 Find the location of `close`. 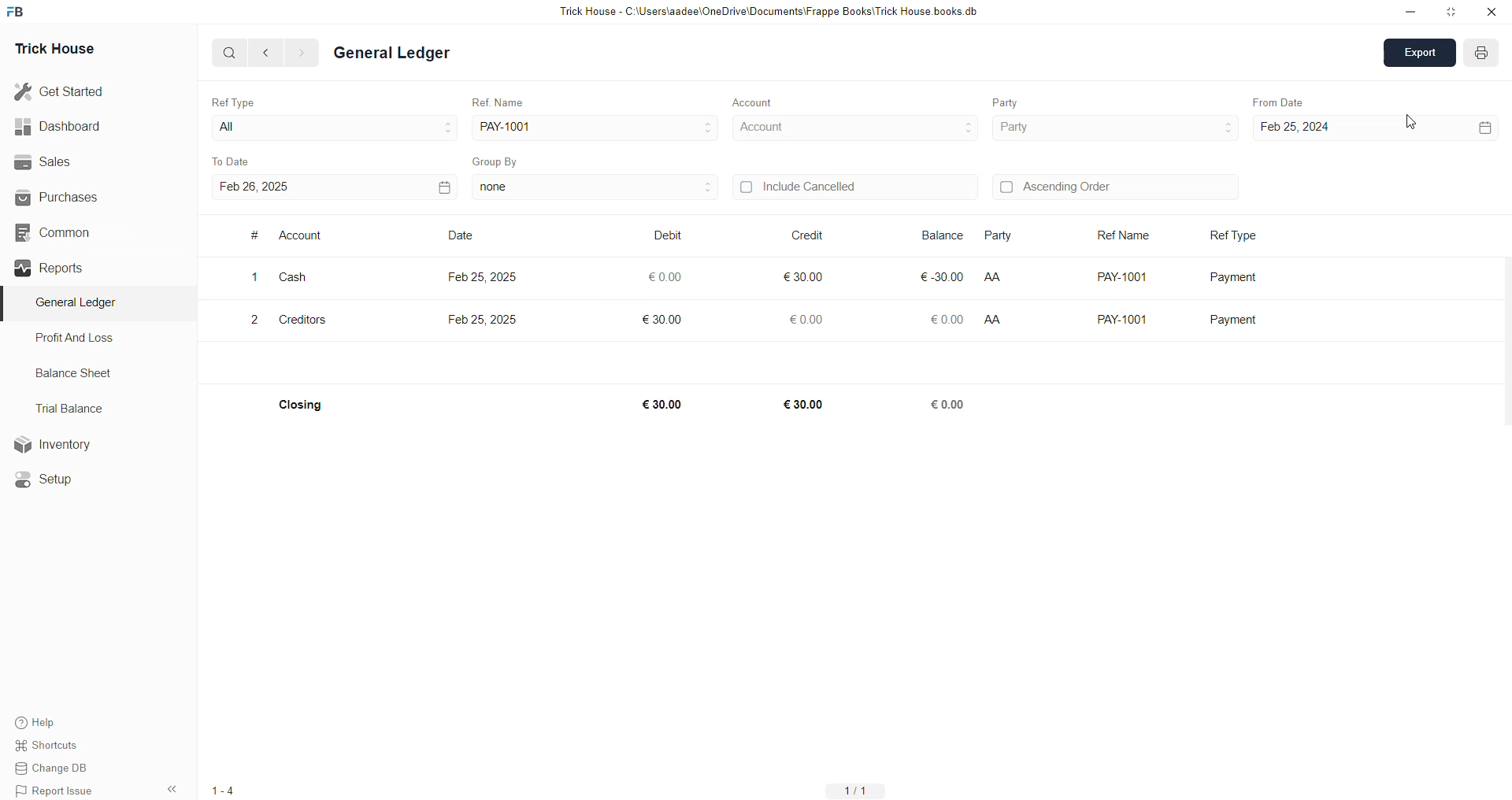

close is located at coordinates (1492, 12).